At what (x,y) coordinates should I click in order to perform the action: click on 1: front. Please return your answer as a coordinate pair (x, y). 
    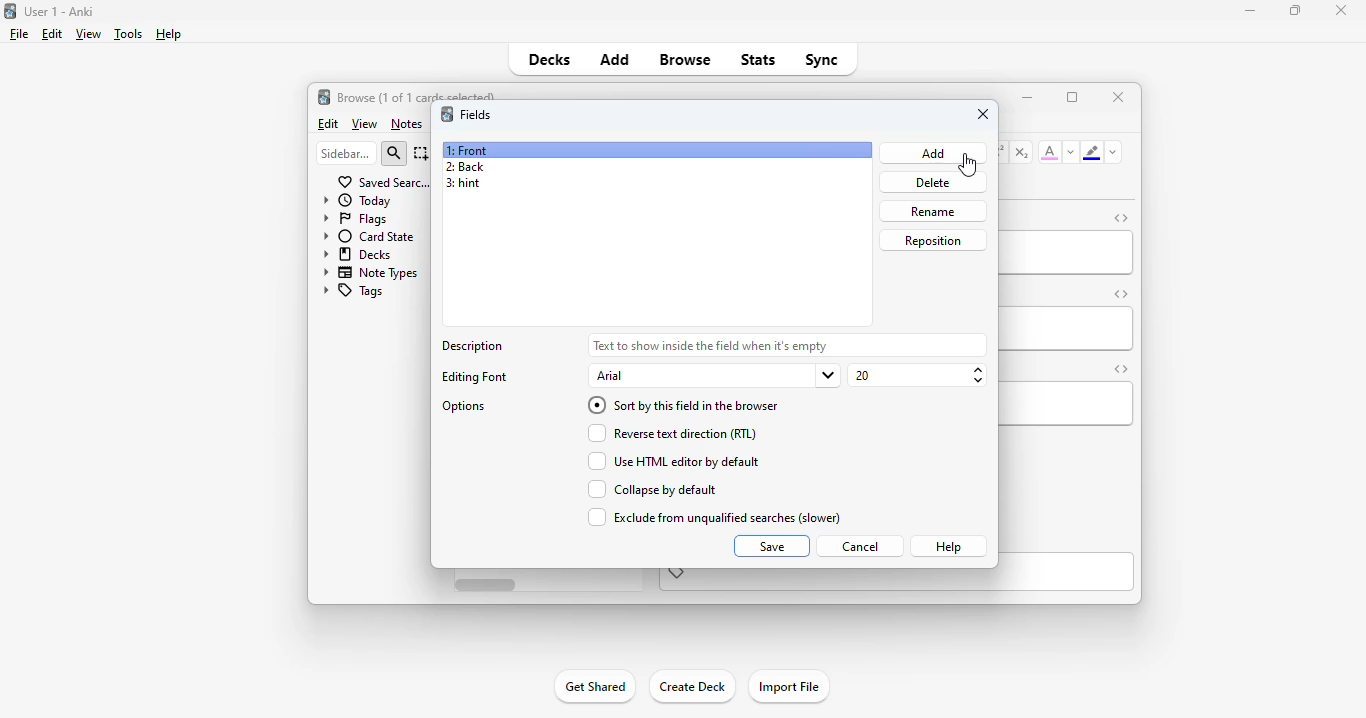
    Looking at the image, I should click on (469, 151).